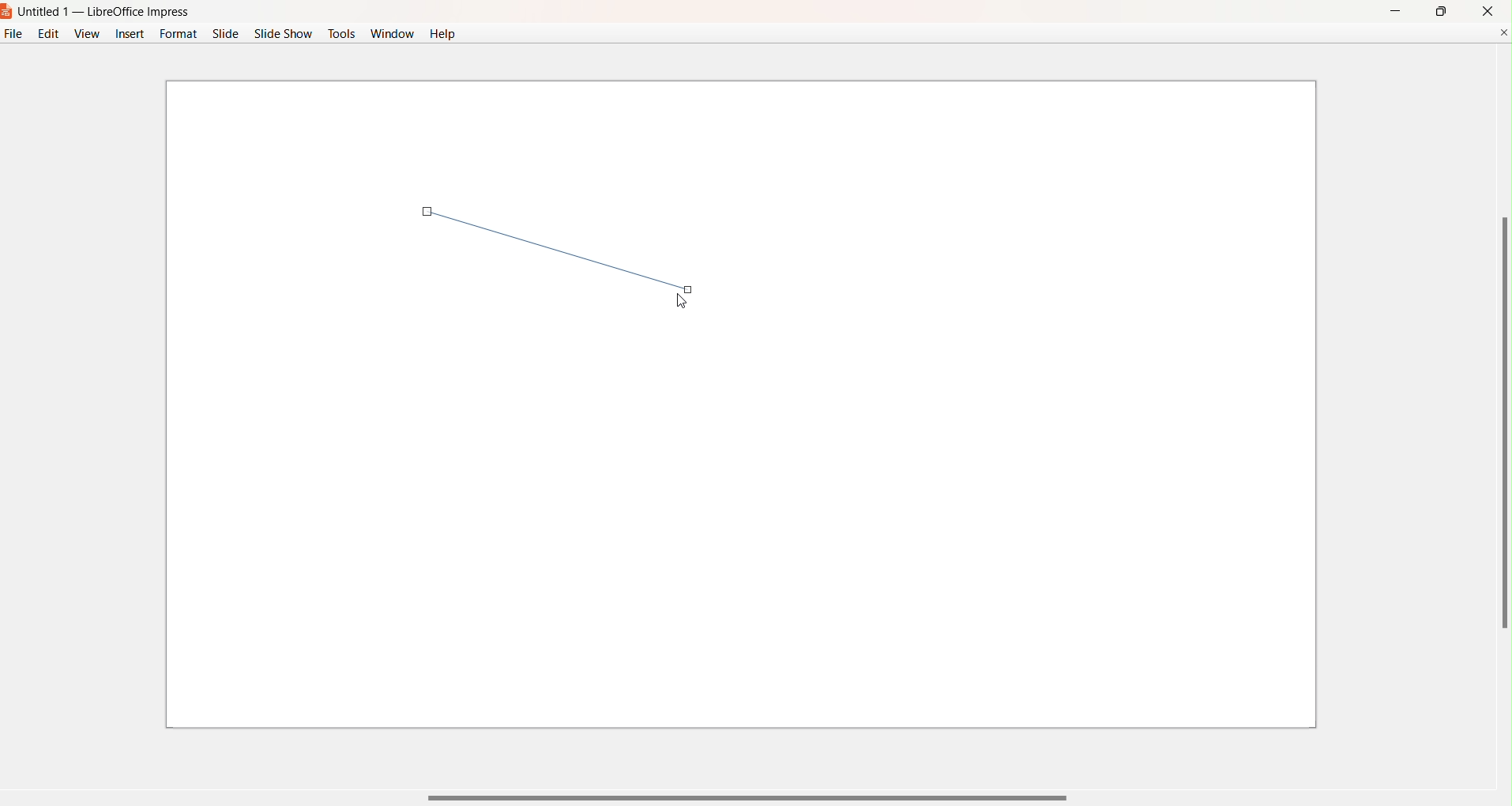 The height and width of the screenshot is (806, 1512). I want to click on Slide, so click(226, 34).